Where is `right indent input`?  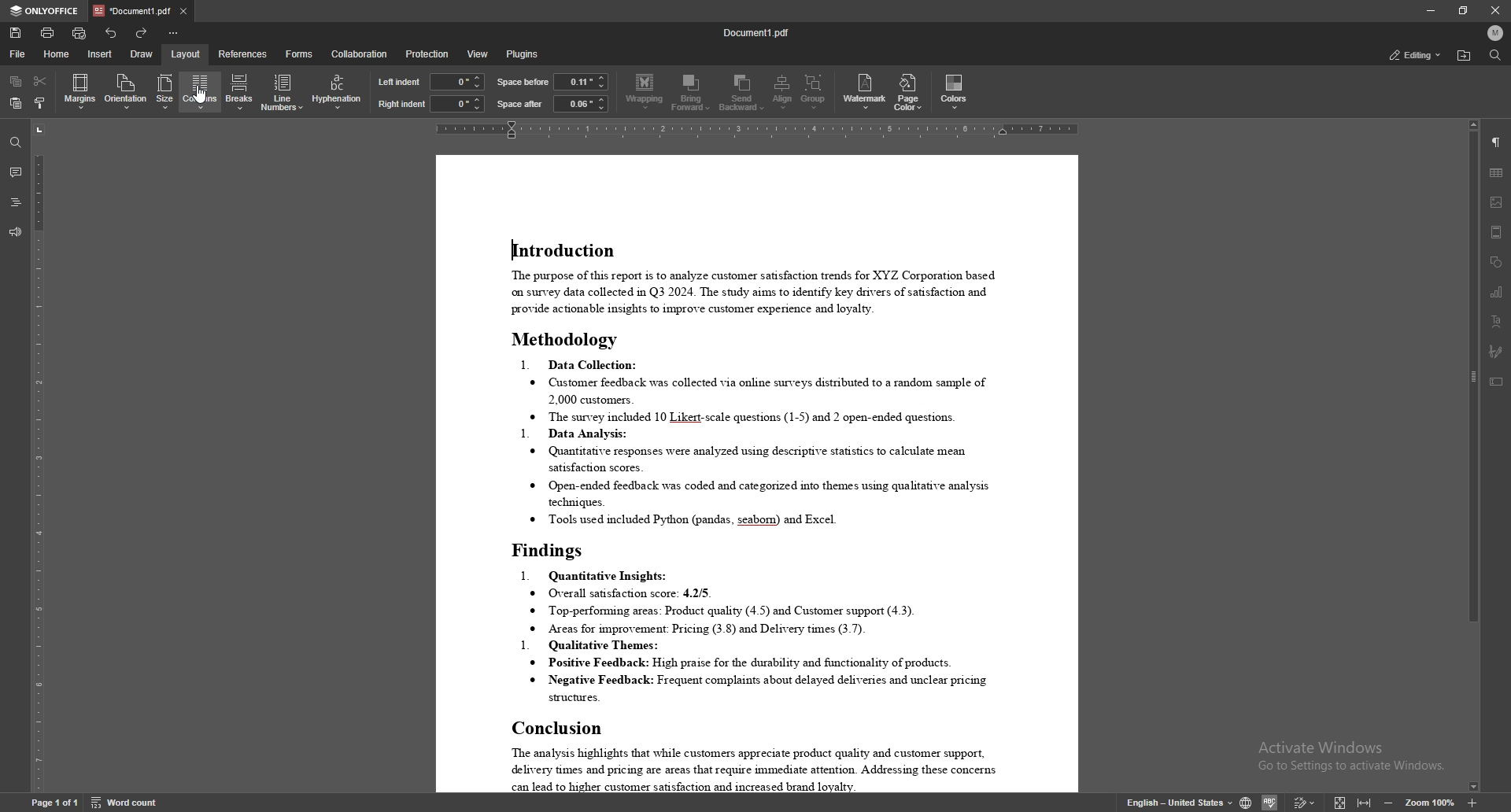
right indent input is located at coordinates (458, 104).